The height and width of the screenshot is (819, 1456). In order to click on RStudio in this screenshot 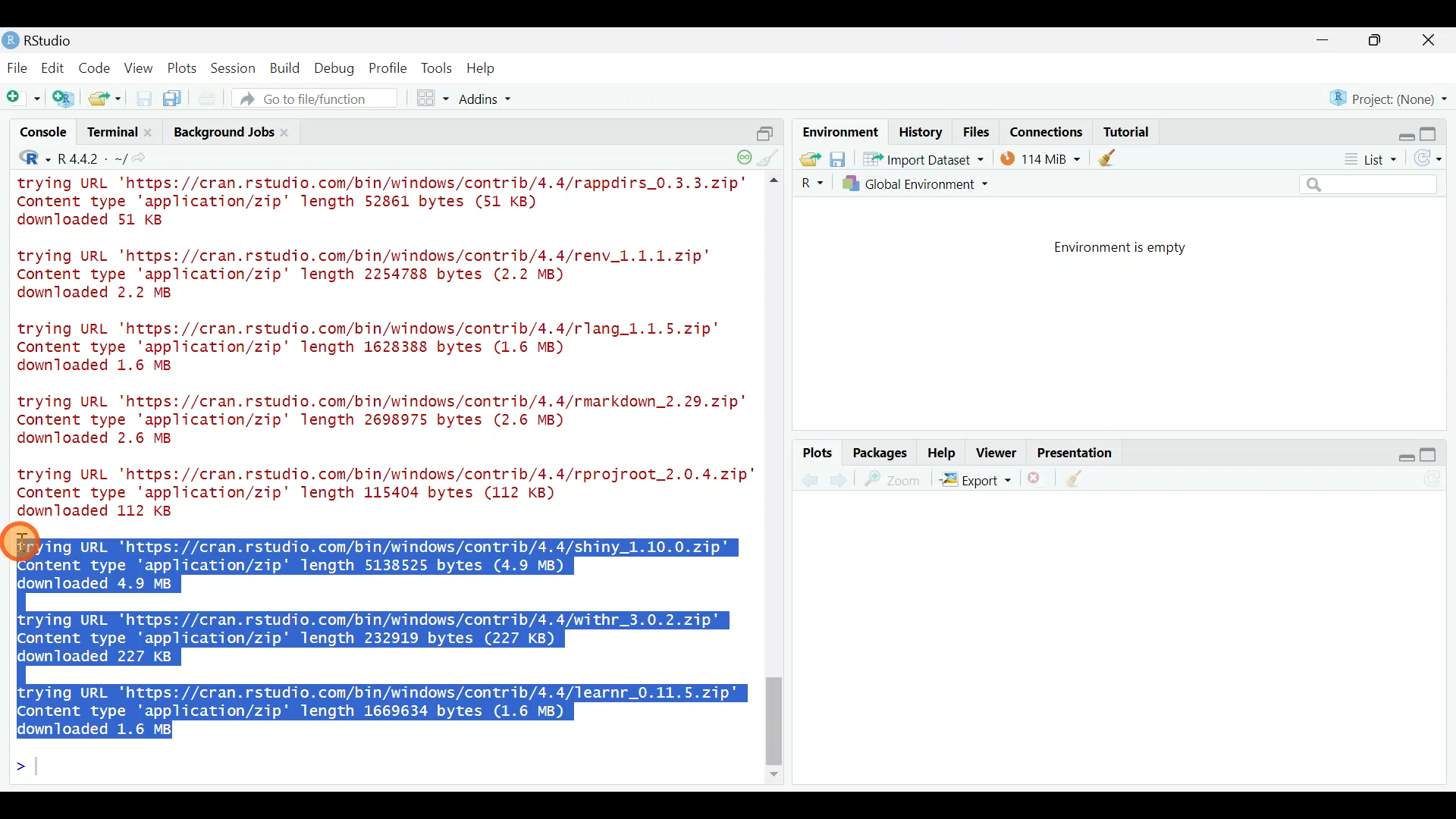, I will do `click(45, 40)`.